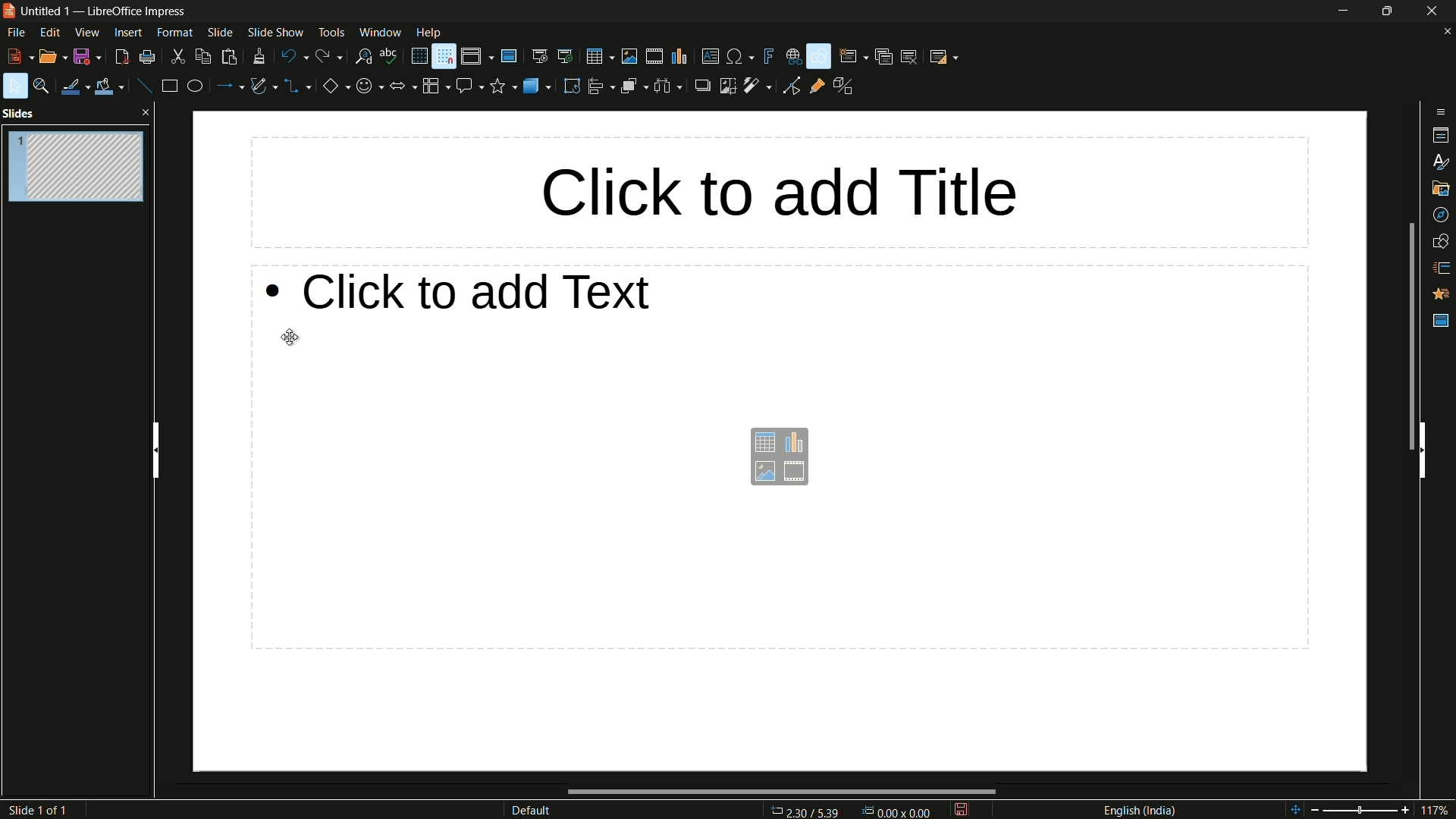 This screenshot has width=1456, height=819. I want to click on connectors, so click(297, 87).